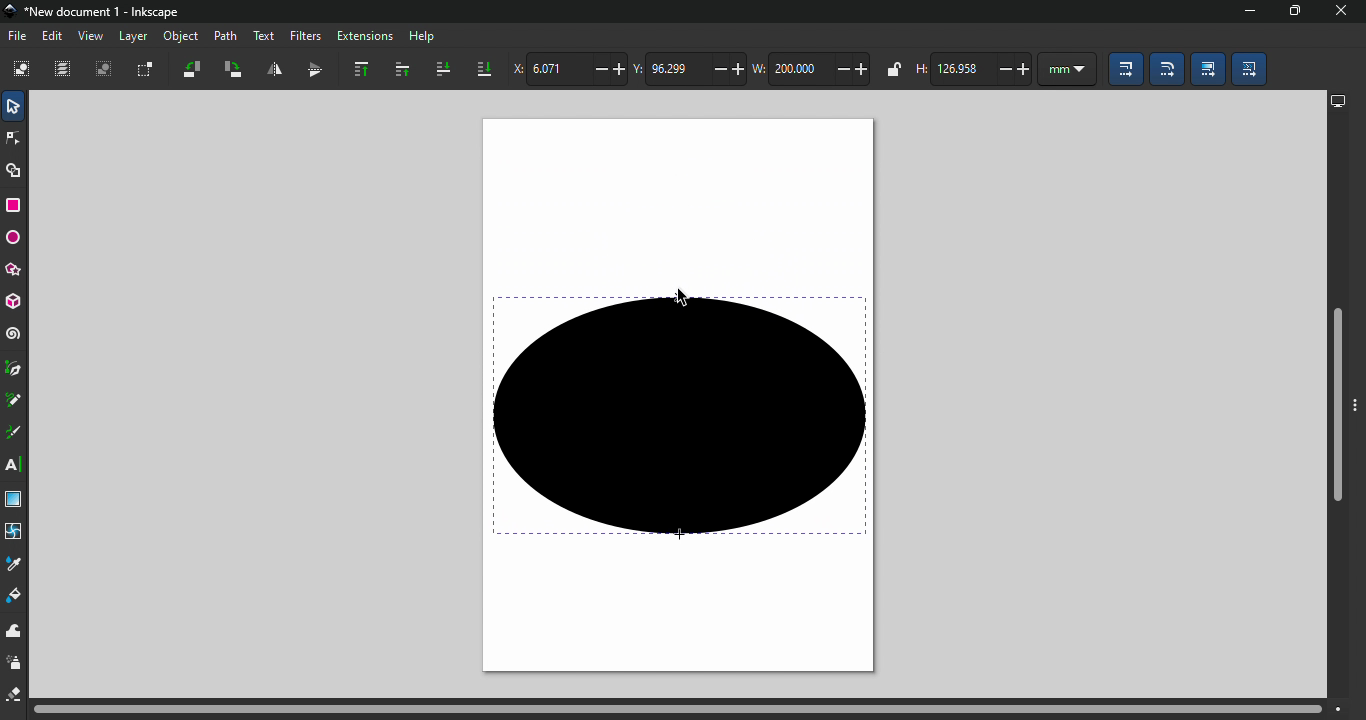  What do you see at coordinates (402, 72) in the screenshot?
I see `Raise selection one step` at bounding box center [402, 72].